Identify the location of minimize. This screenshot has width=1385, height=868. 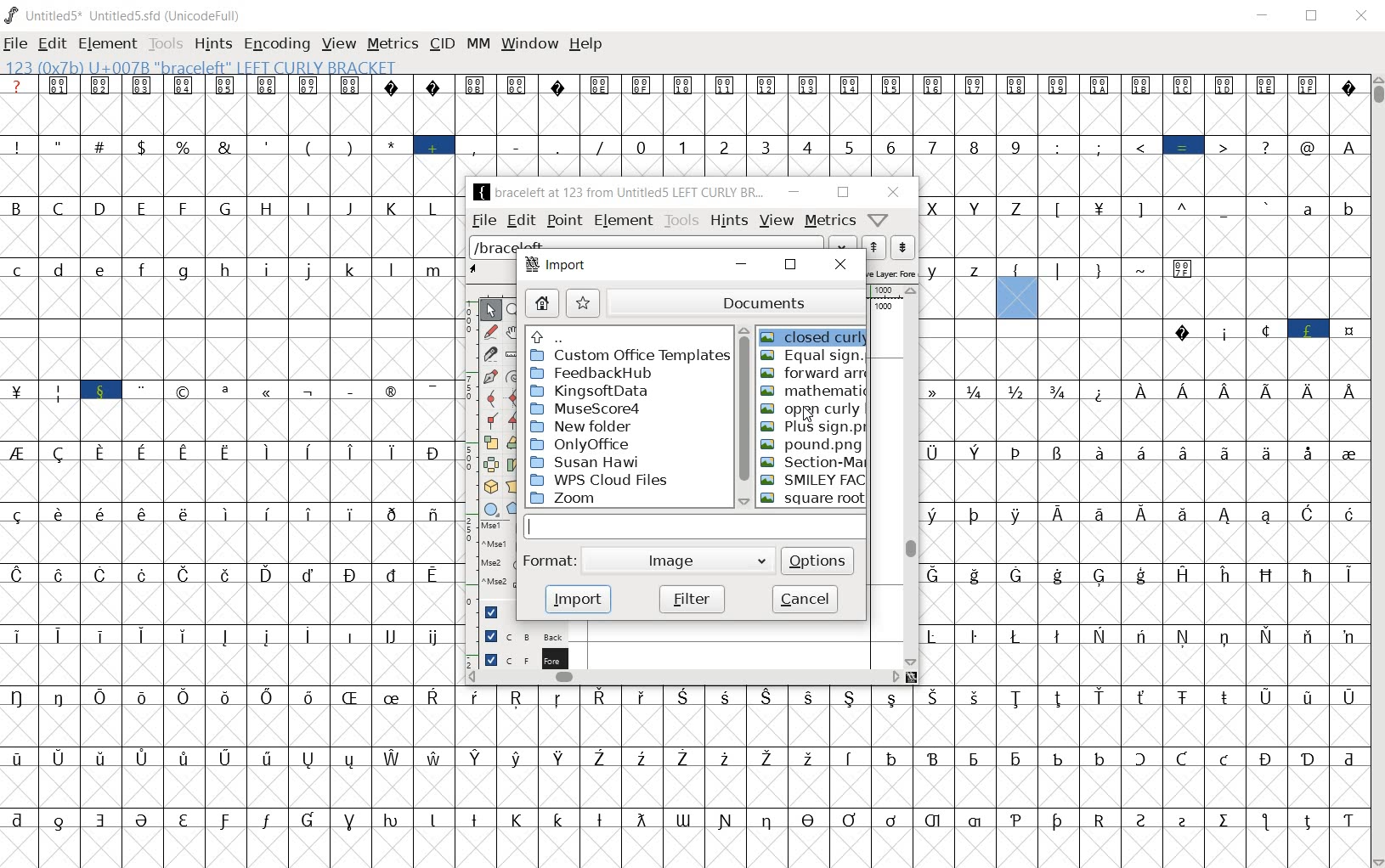
(795, 193).